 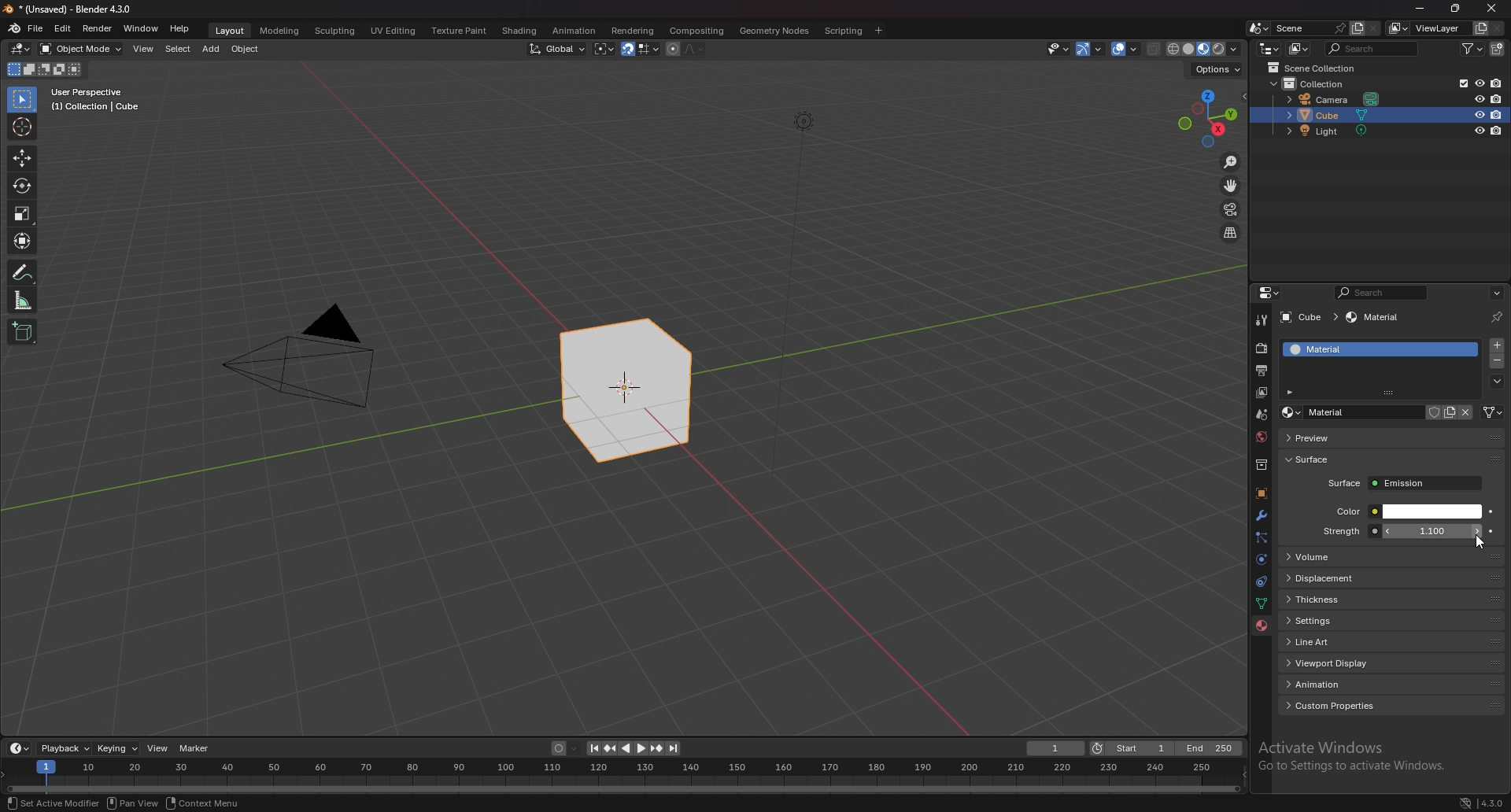 What do you see at coordinates (50, 803) in the screenshot?
I see `` at bounding box center [50, 803].